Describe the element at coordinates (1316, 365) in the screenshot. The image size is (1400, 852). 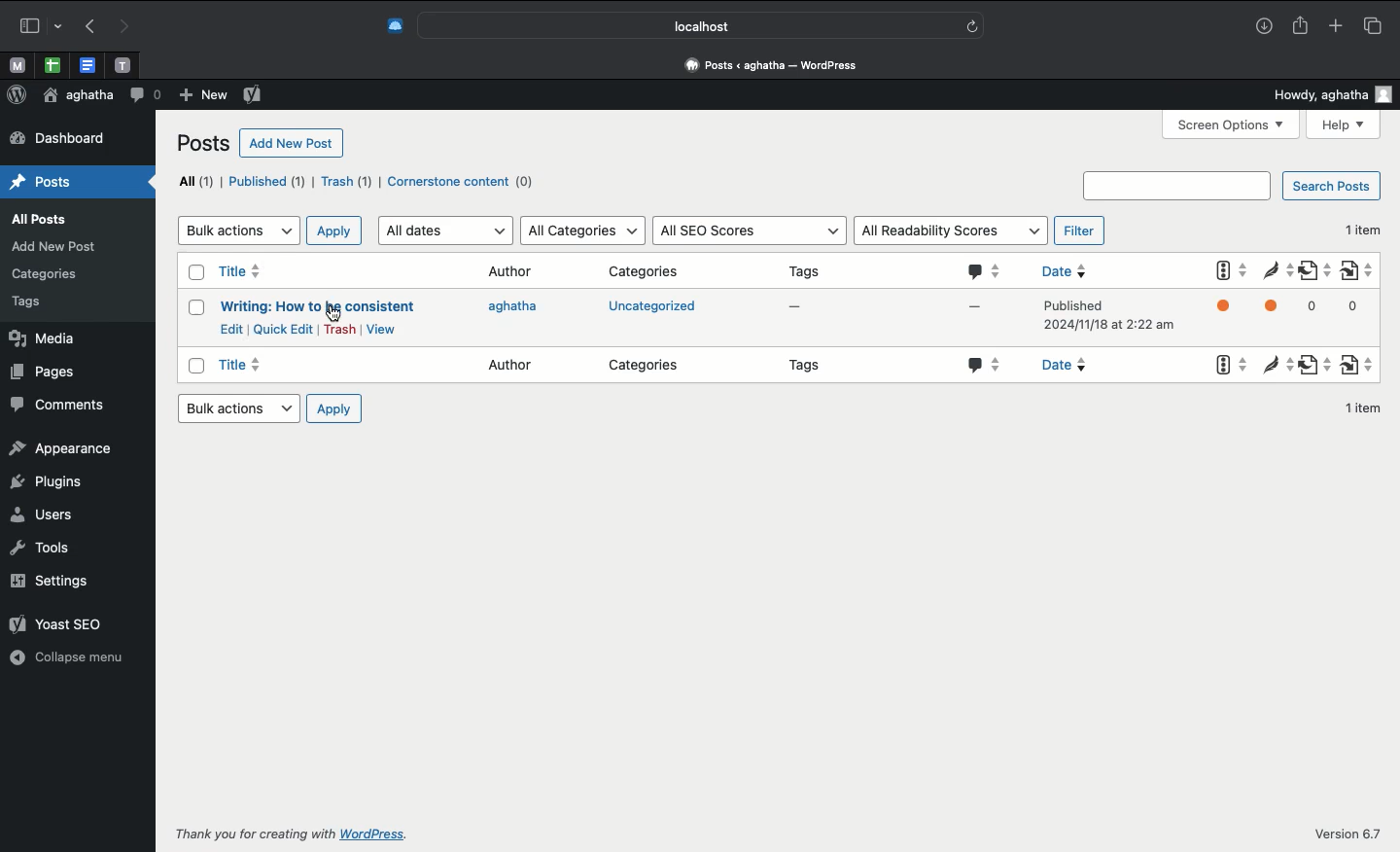
I see `Outgoing links` at that location.